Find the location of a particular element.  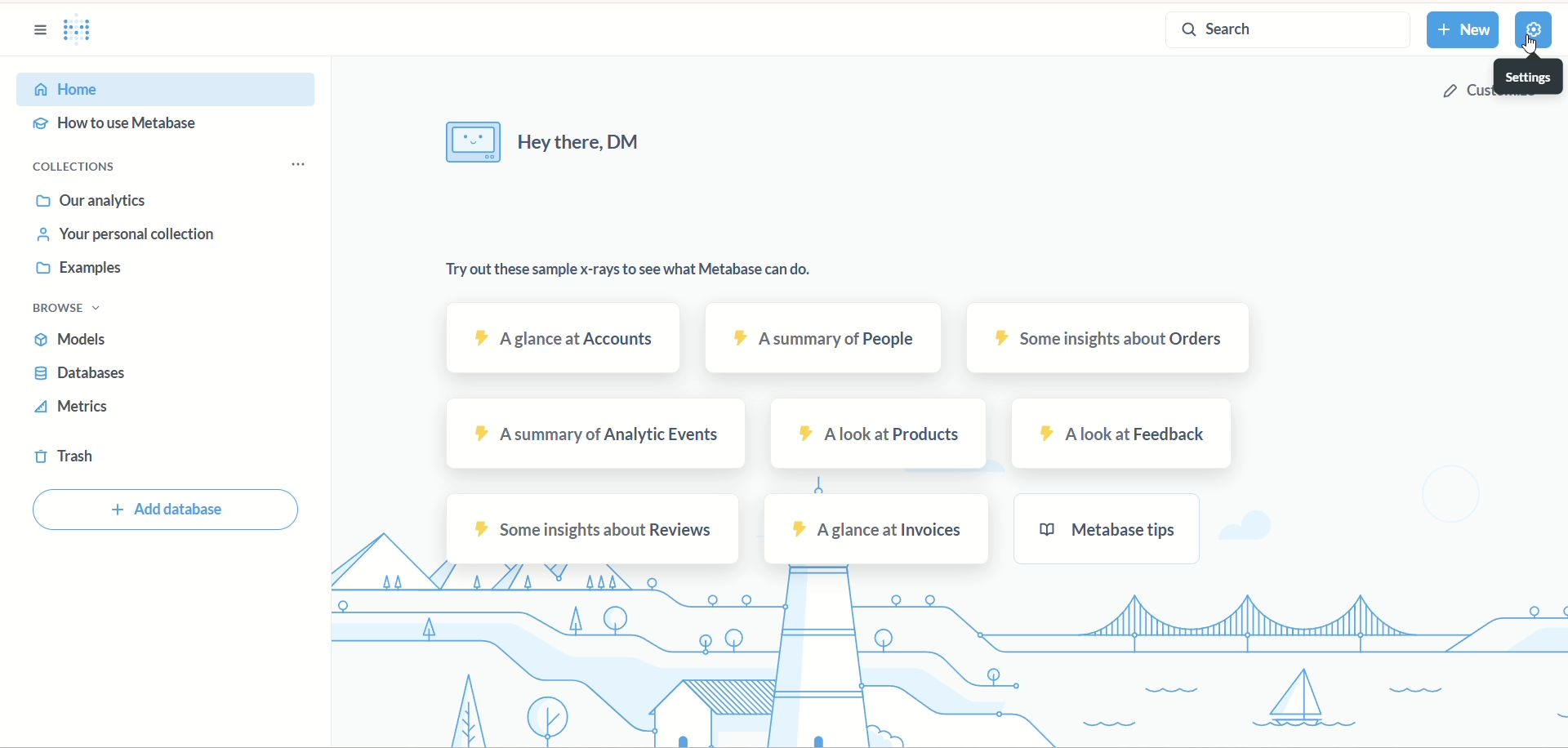

models is located at coordinates (72, 341).